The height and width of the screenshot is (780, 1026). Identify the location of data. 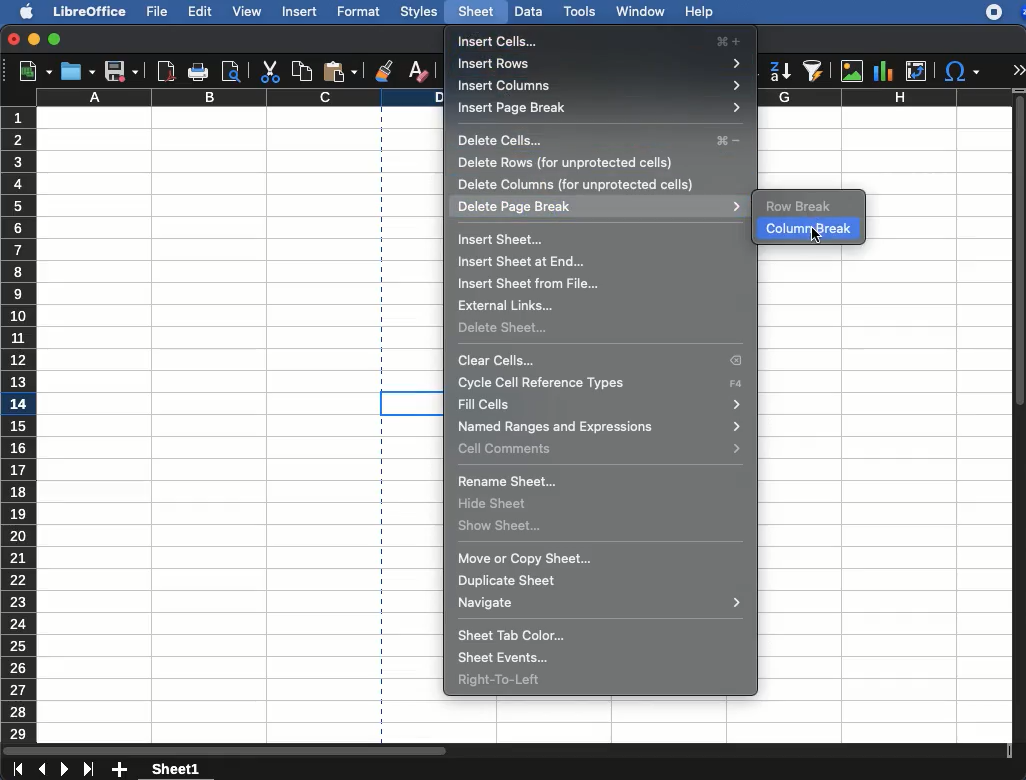
(526, 11).